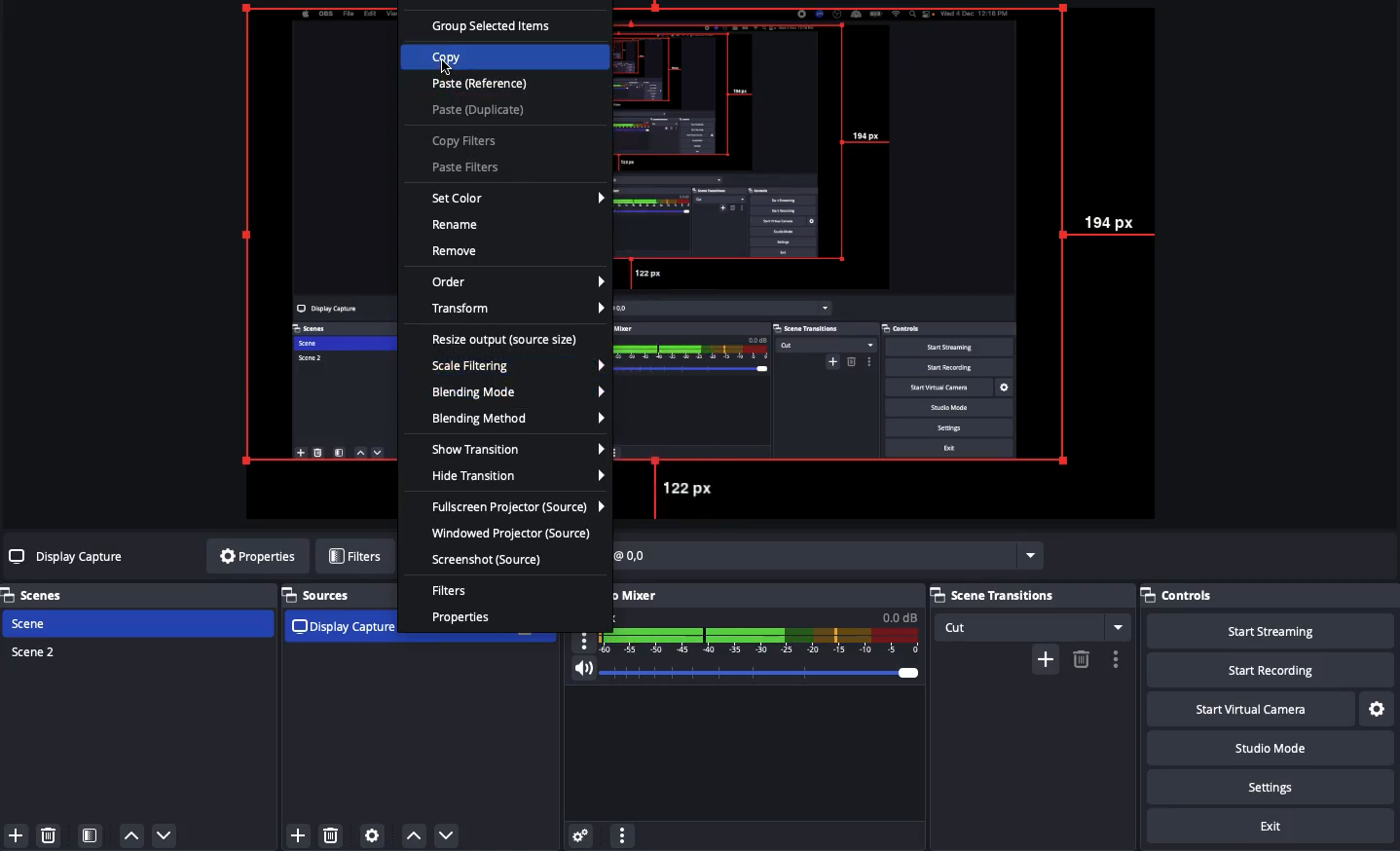 The image size is (1400, 851). I want to click on Audio mixer, so click(613, 595).